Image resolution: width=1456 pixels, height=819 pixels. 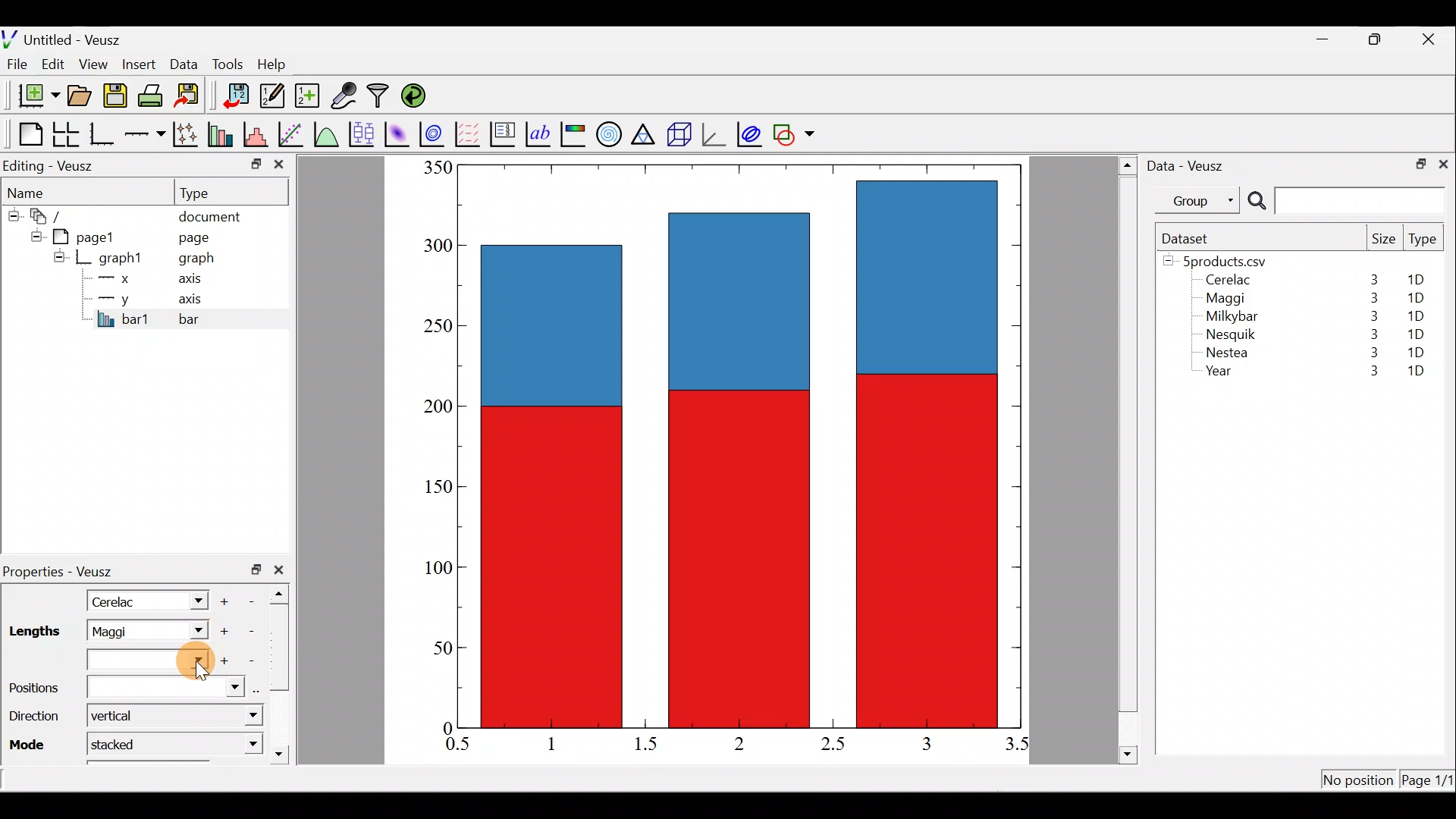 I want to click on pagel, so click(x=90, y=235).